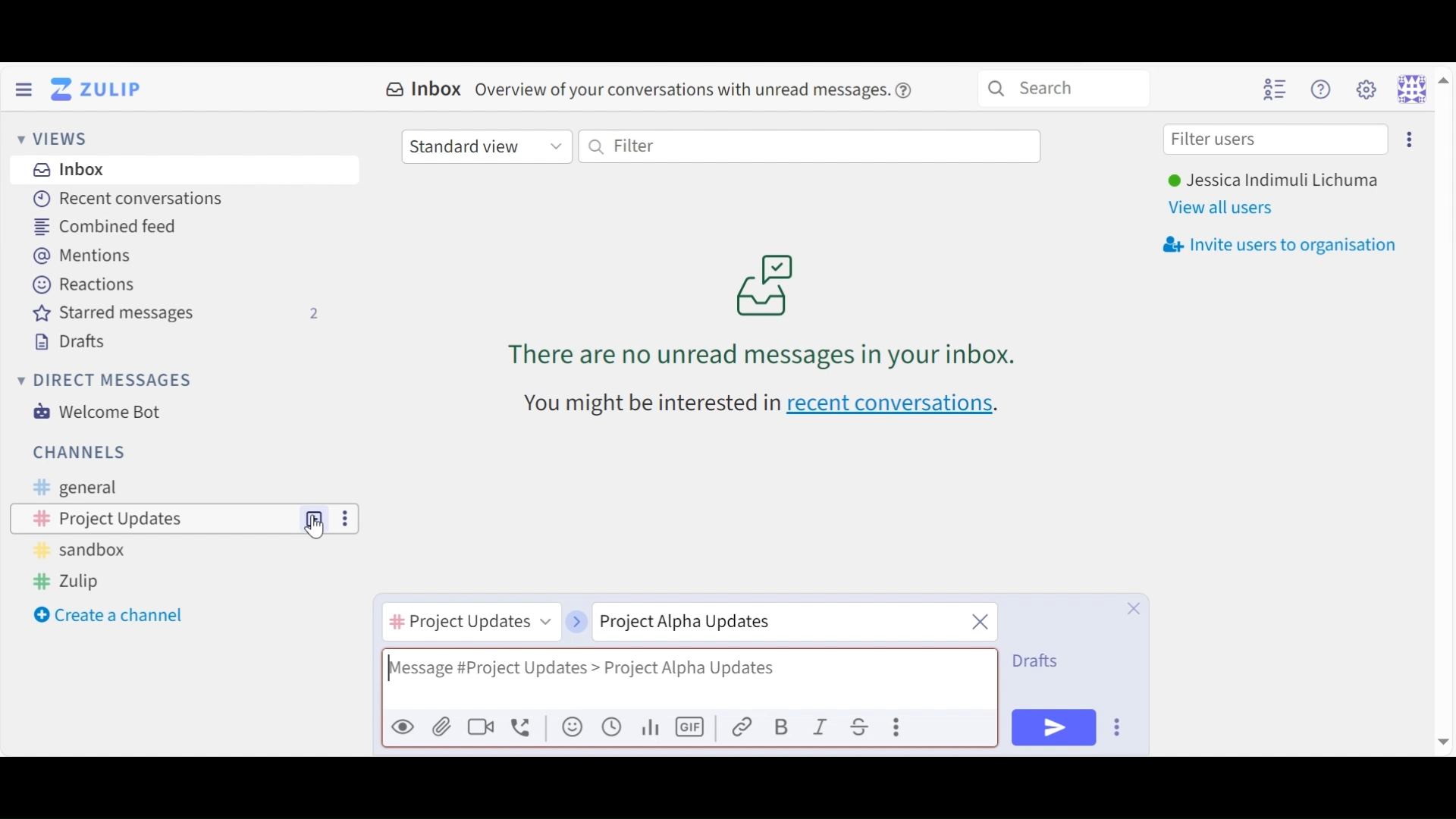  What do you see at coordinates (1323, 89) in the screenshot?
I see `Help menu` at bounding box center [1323, 89].